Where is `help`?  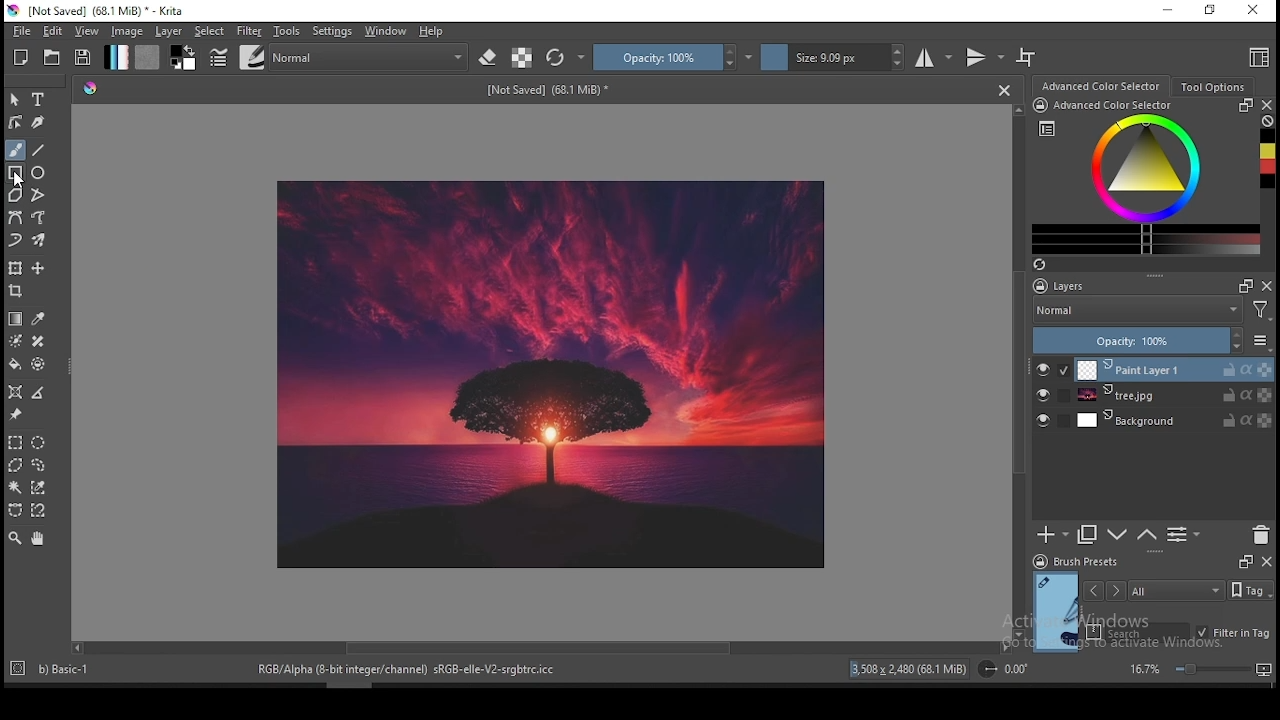
help is located at coordinates (432, 32).